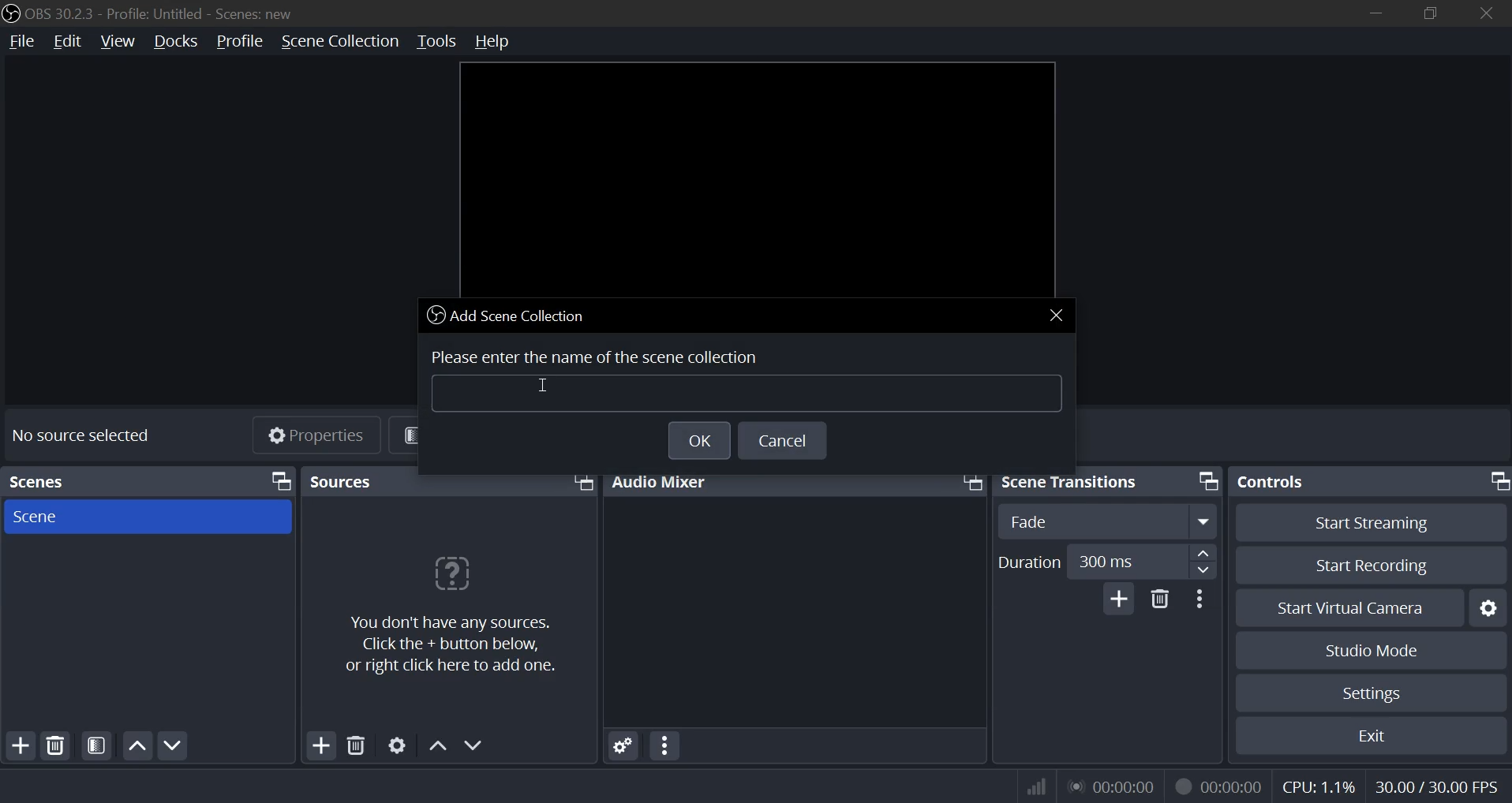 The width and height of the screenshot is (1512, 803). What do you see at coordinates (1218, 785) in the screenshot?
I see `record streamed` at bounding box center [1218, 785].